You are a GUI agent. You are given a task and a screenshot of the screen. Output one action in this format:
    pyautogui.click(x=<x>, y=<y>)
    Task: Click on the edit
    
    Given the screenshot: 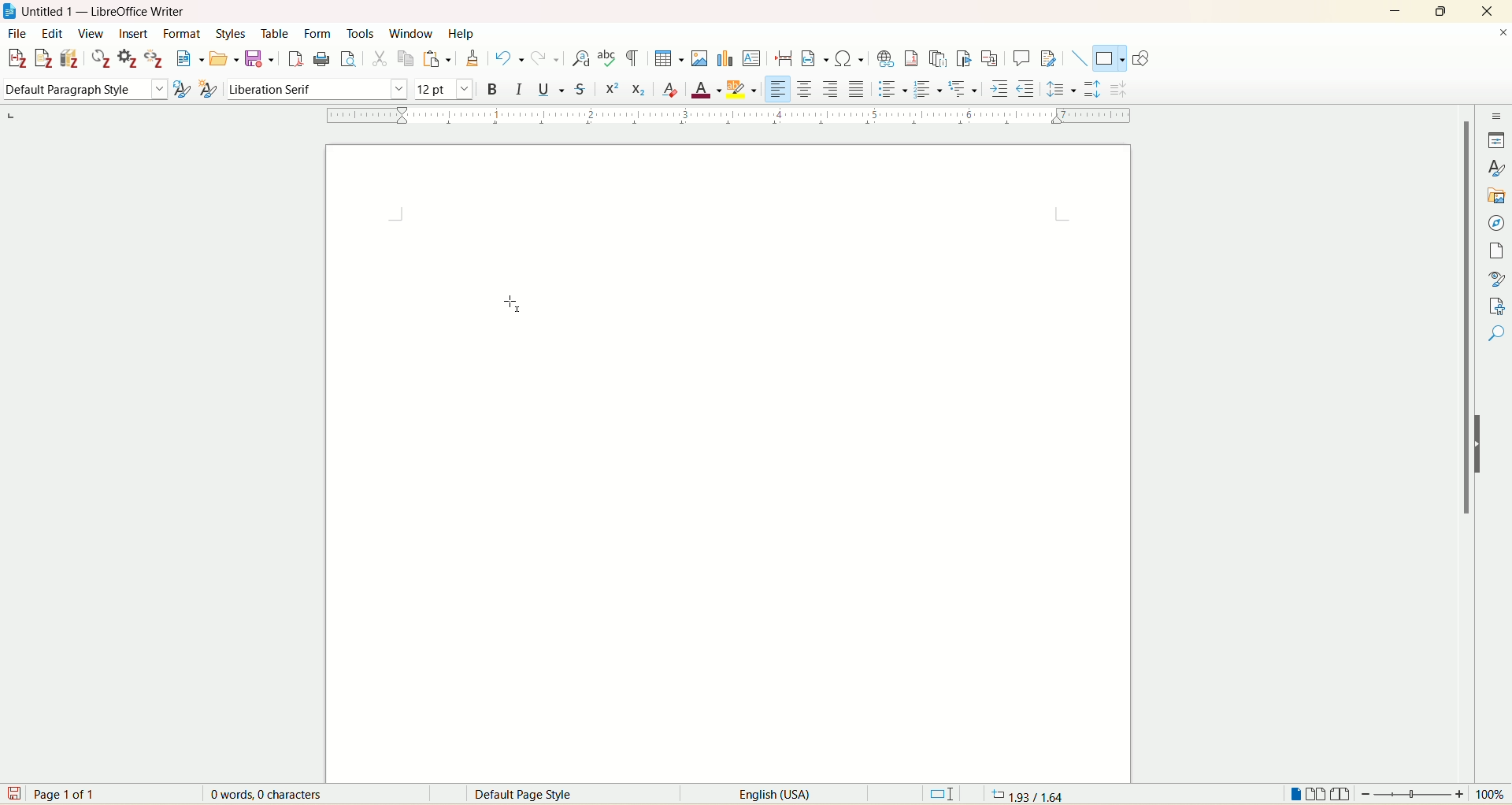 What is the action you would take?
    pyautogui.click(x=50, y=34)
    